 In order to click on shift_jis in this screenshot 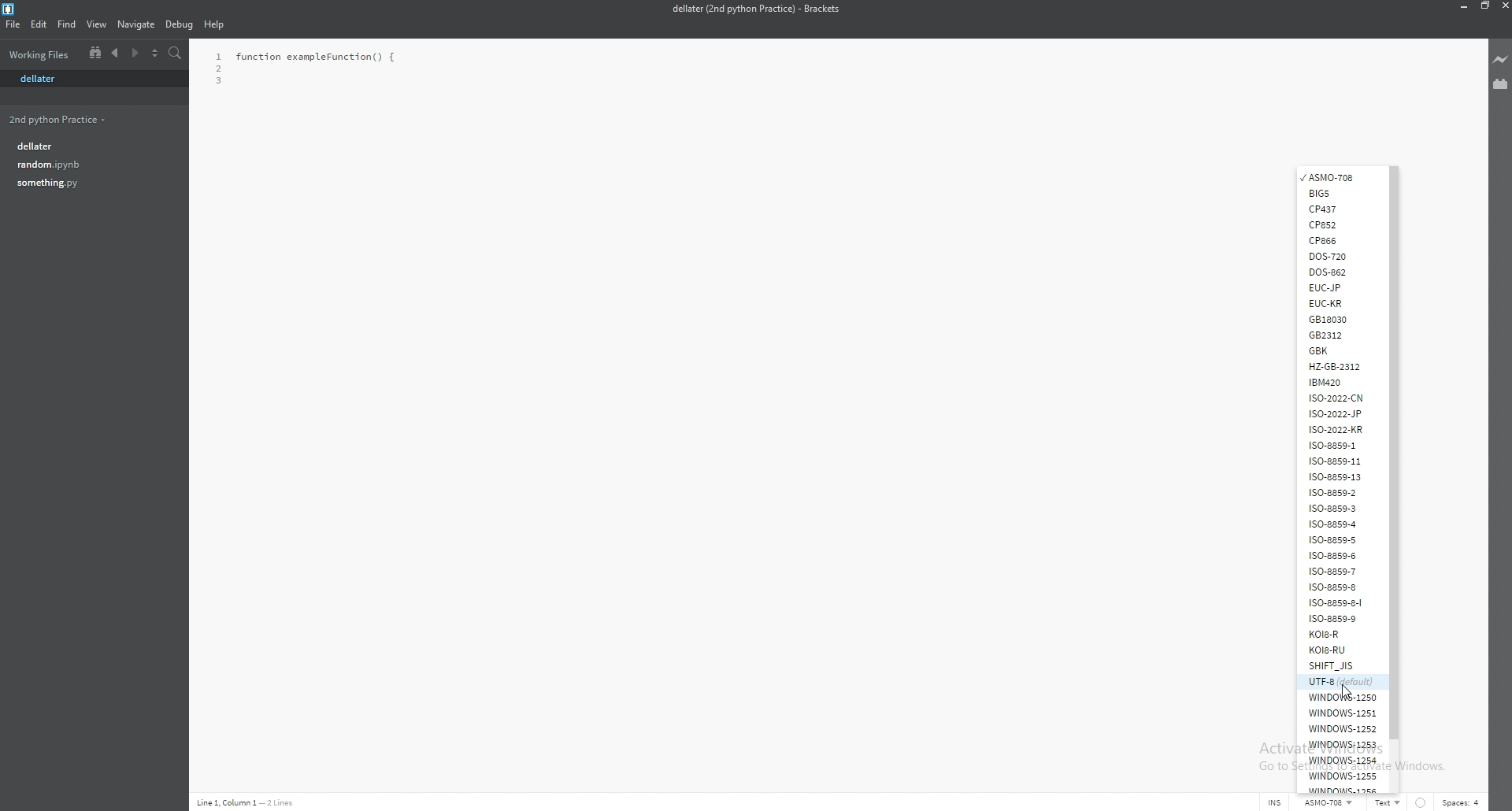, I will do `click(1342, 665)`.